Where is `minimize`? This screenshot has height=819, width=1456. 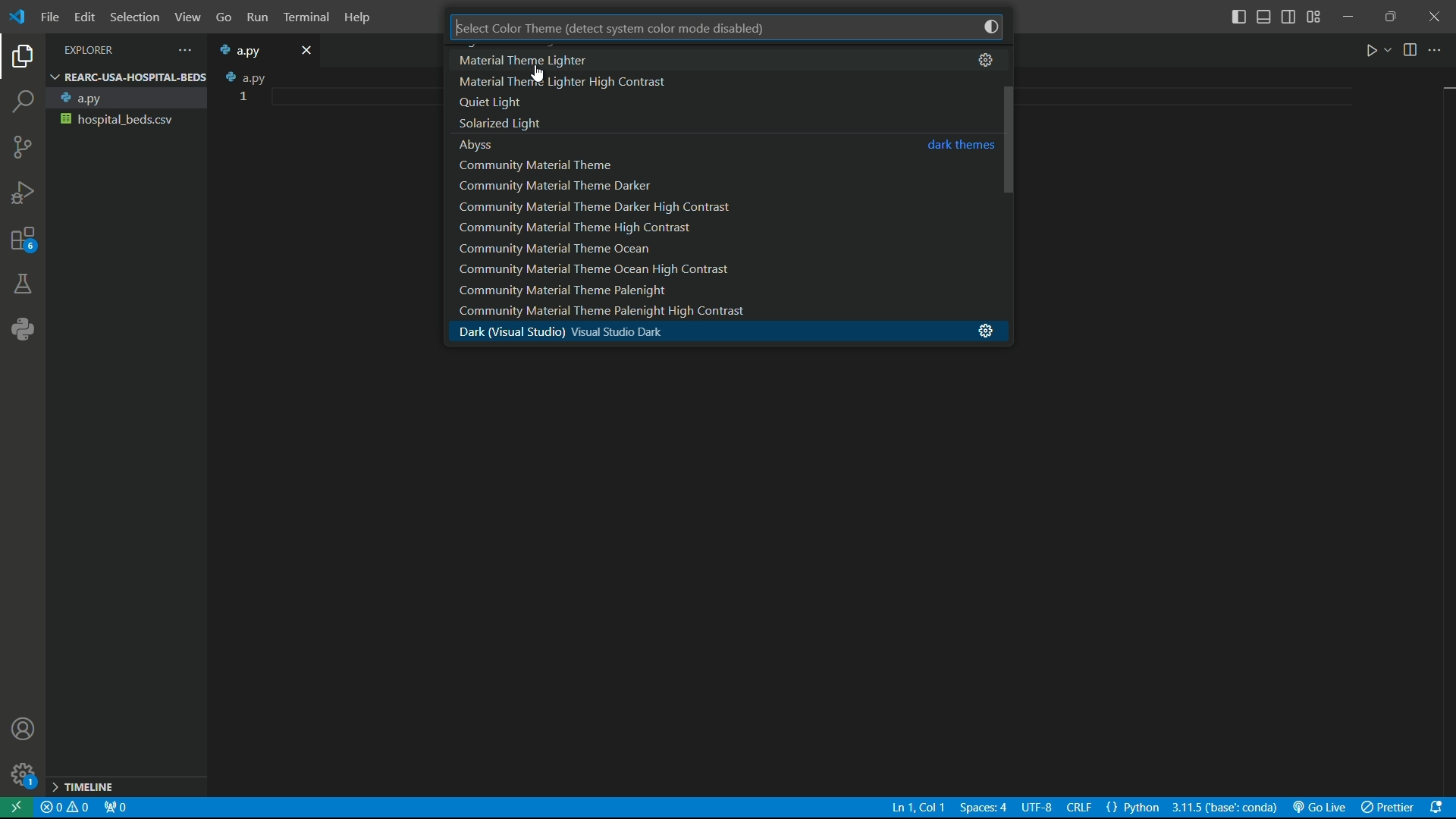
minimize is located at coordinates (1350, 16).